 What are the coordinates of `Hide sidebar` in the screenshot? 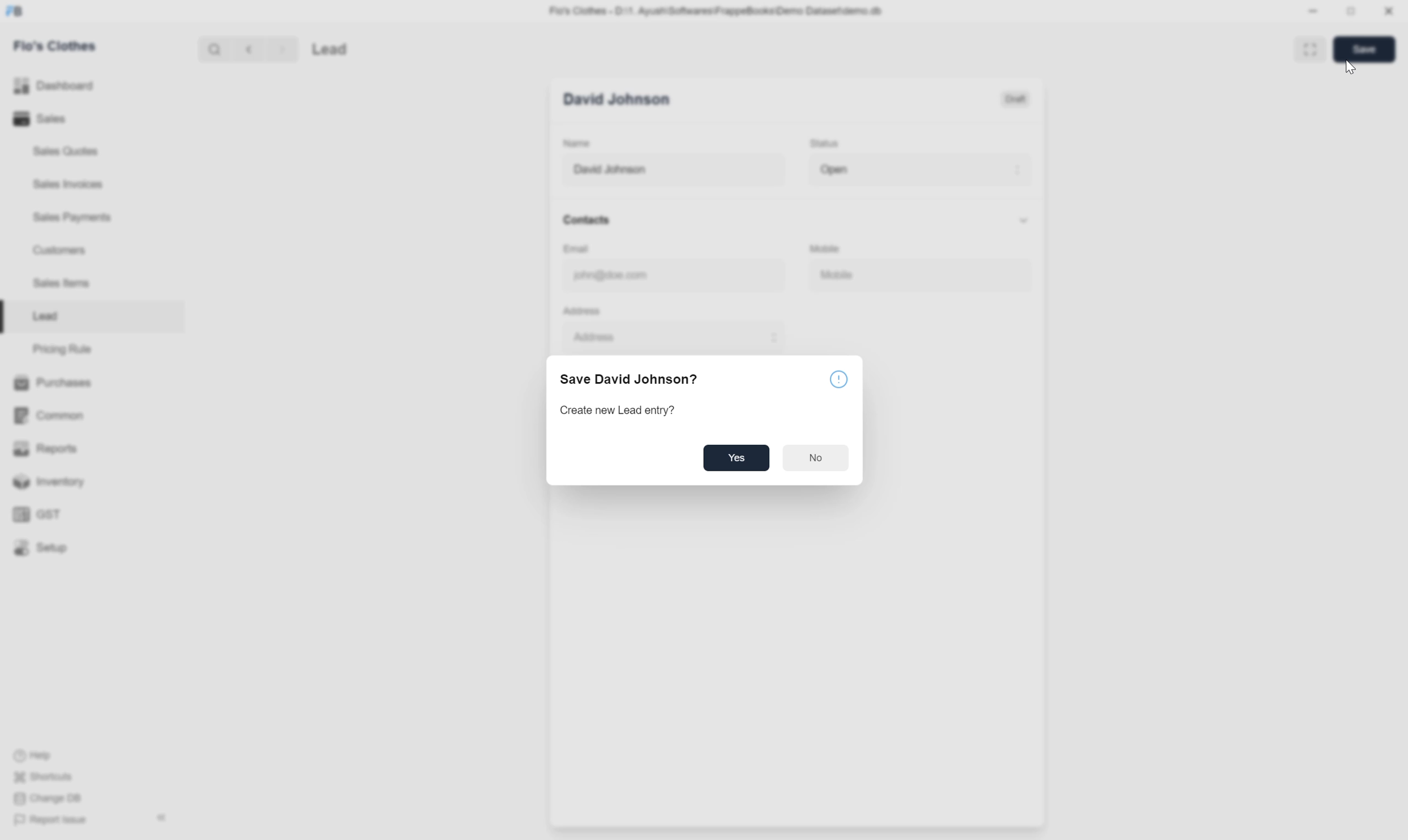 It's located at (161, 818).